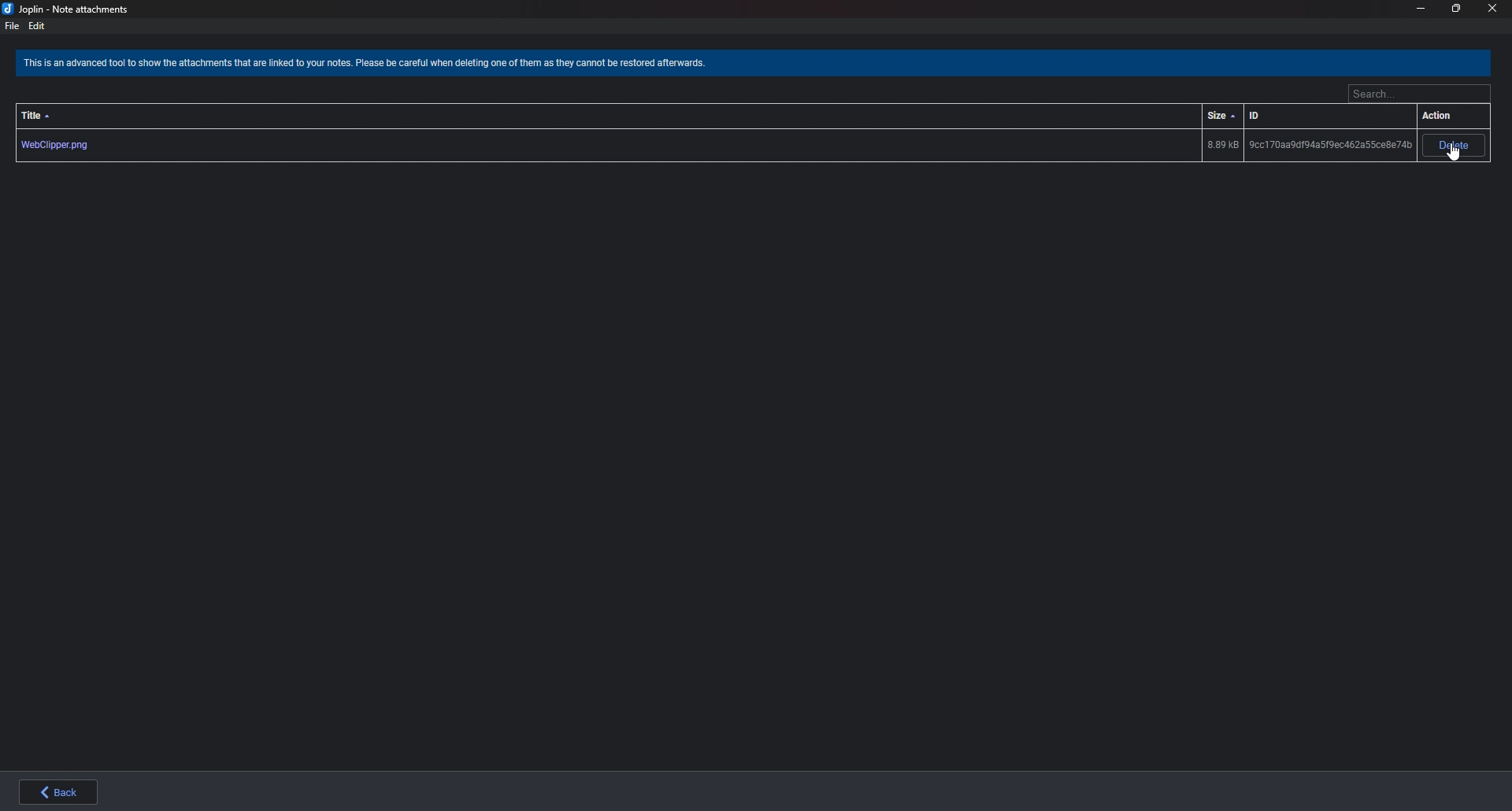 The image size is (1512, 811). Describe the element at coordinates (1418, 95) in the screenshot. I see `Search` at that location.